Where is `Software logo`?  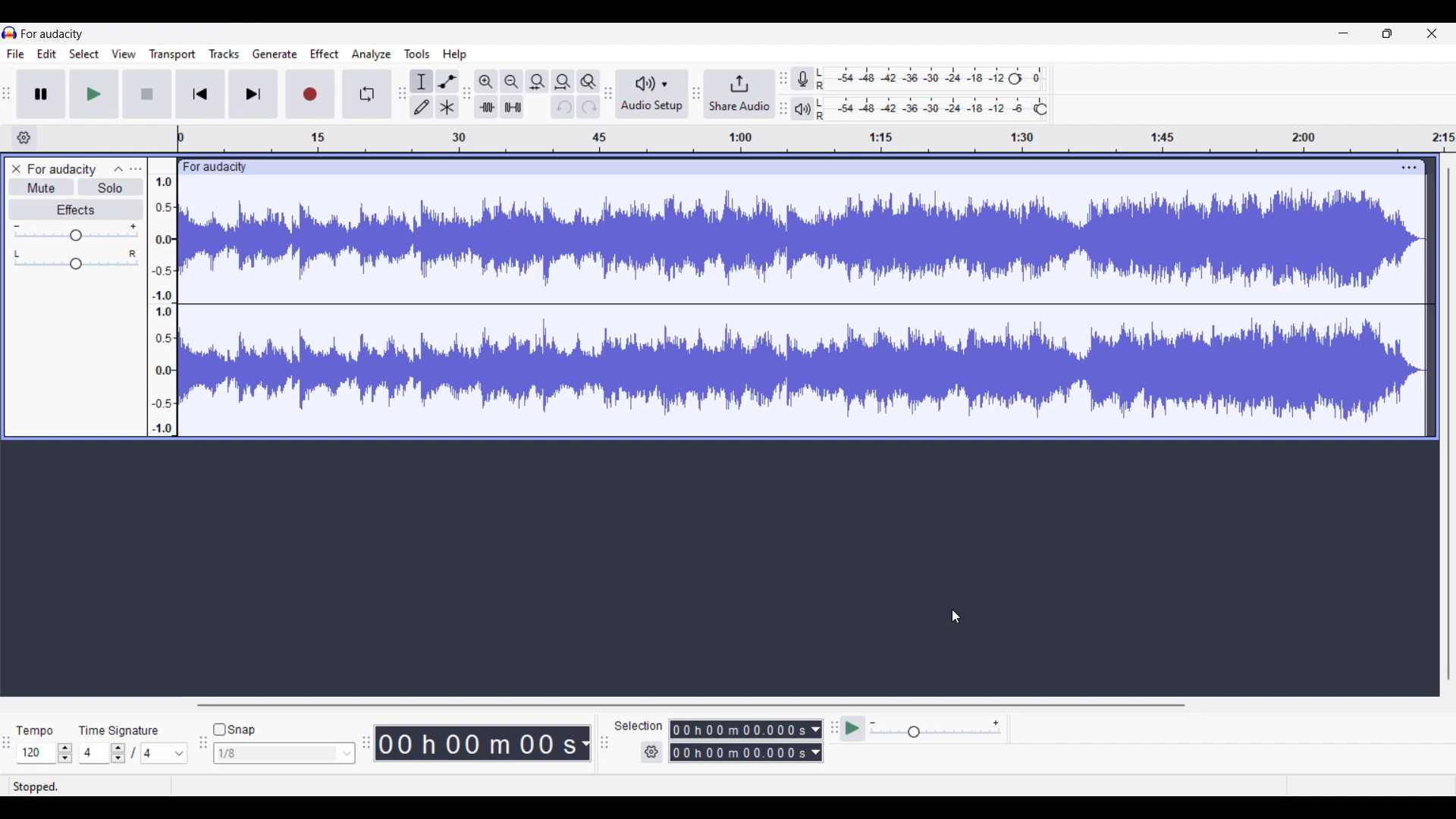
Software logo is located at coordinates (10, 32).